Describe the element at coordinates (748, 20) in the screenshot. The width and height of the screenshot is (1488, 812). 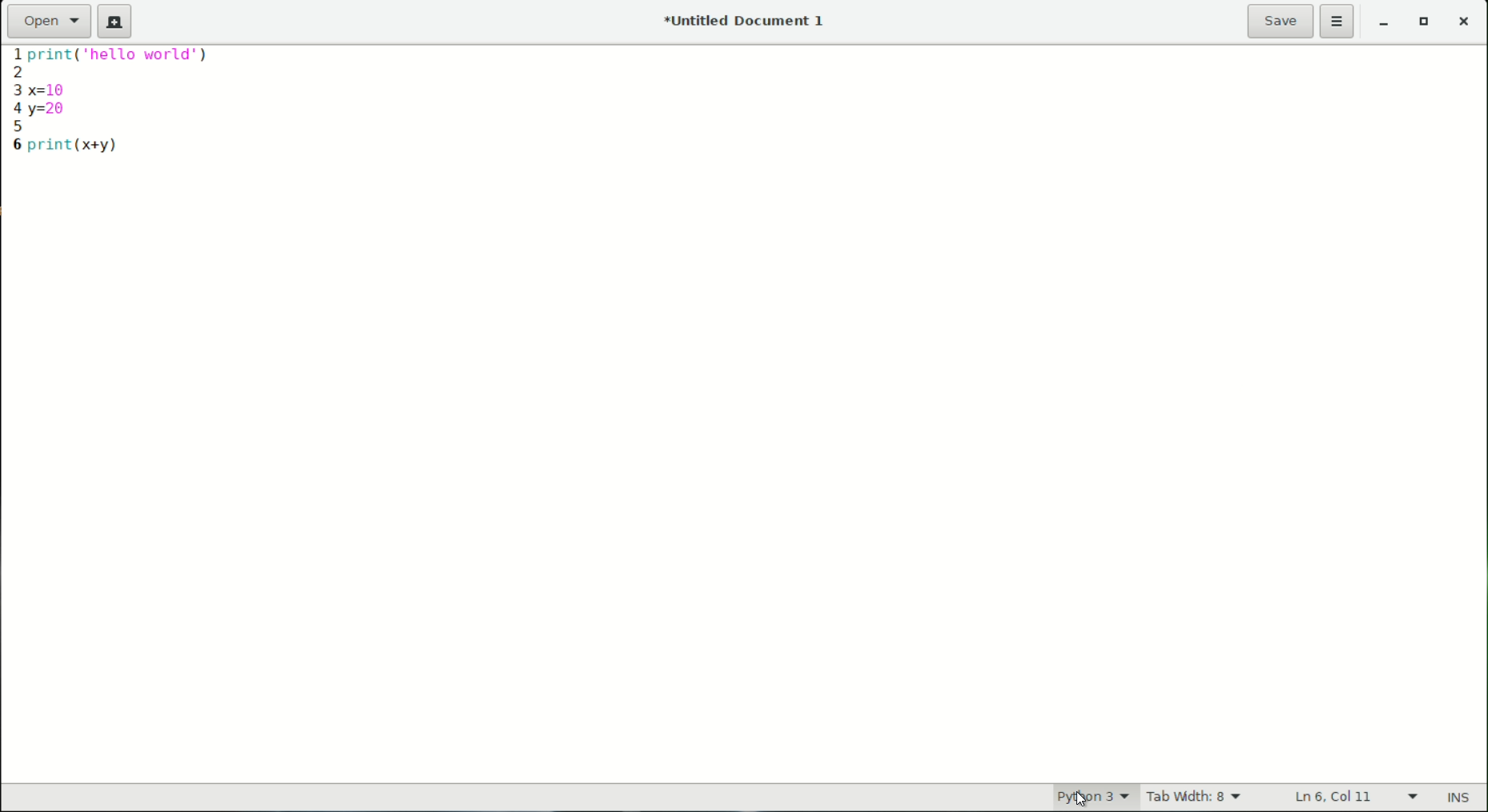
I see `file name` at that location.